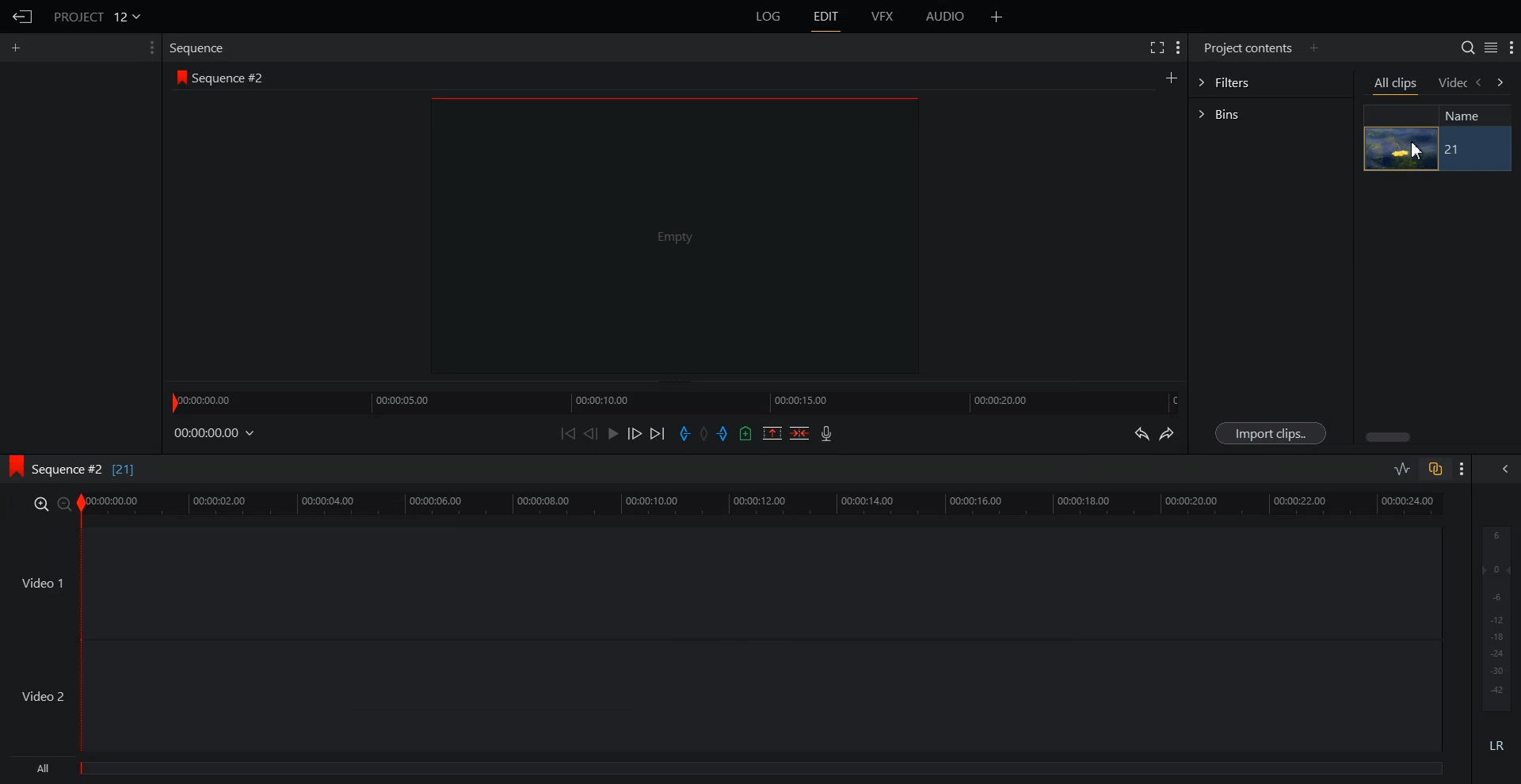 The height and width of the screenshot is (784, 1521). Describe the element at coordinates (613, 432) in the screenshot. I see `Play` at that location.